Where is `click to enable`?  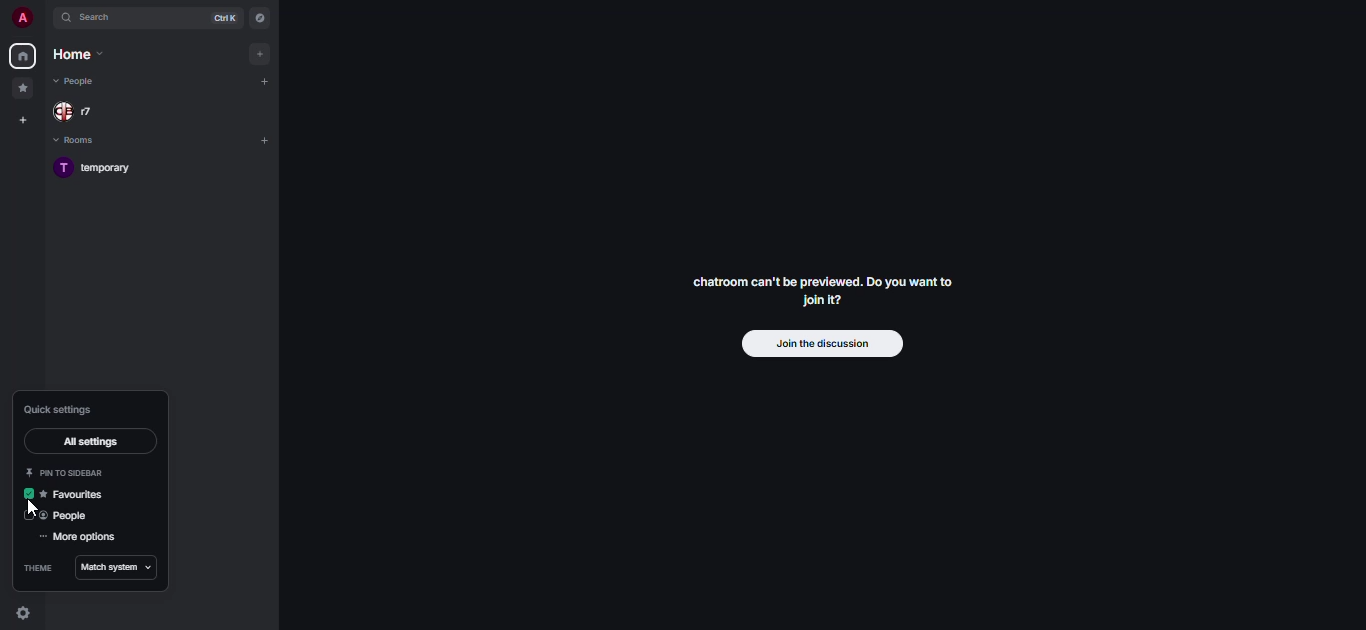 click to enable is located at coordinates (28, 517).